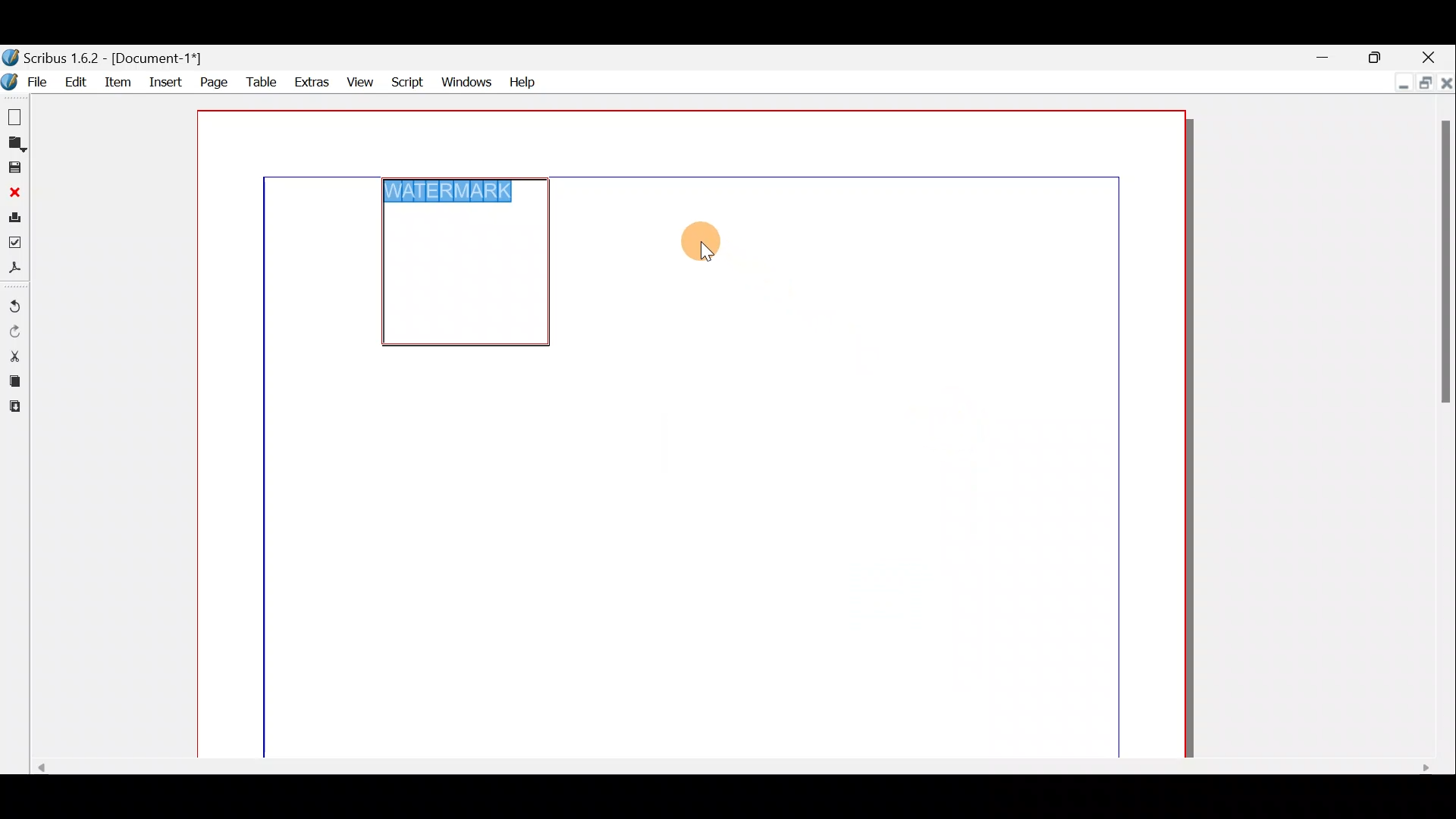 This screenshot has width=1456, height=819. Describe the element at coordinates (1399, 83) in the screenshot. I see `Minimise` at that location.